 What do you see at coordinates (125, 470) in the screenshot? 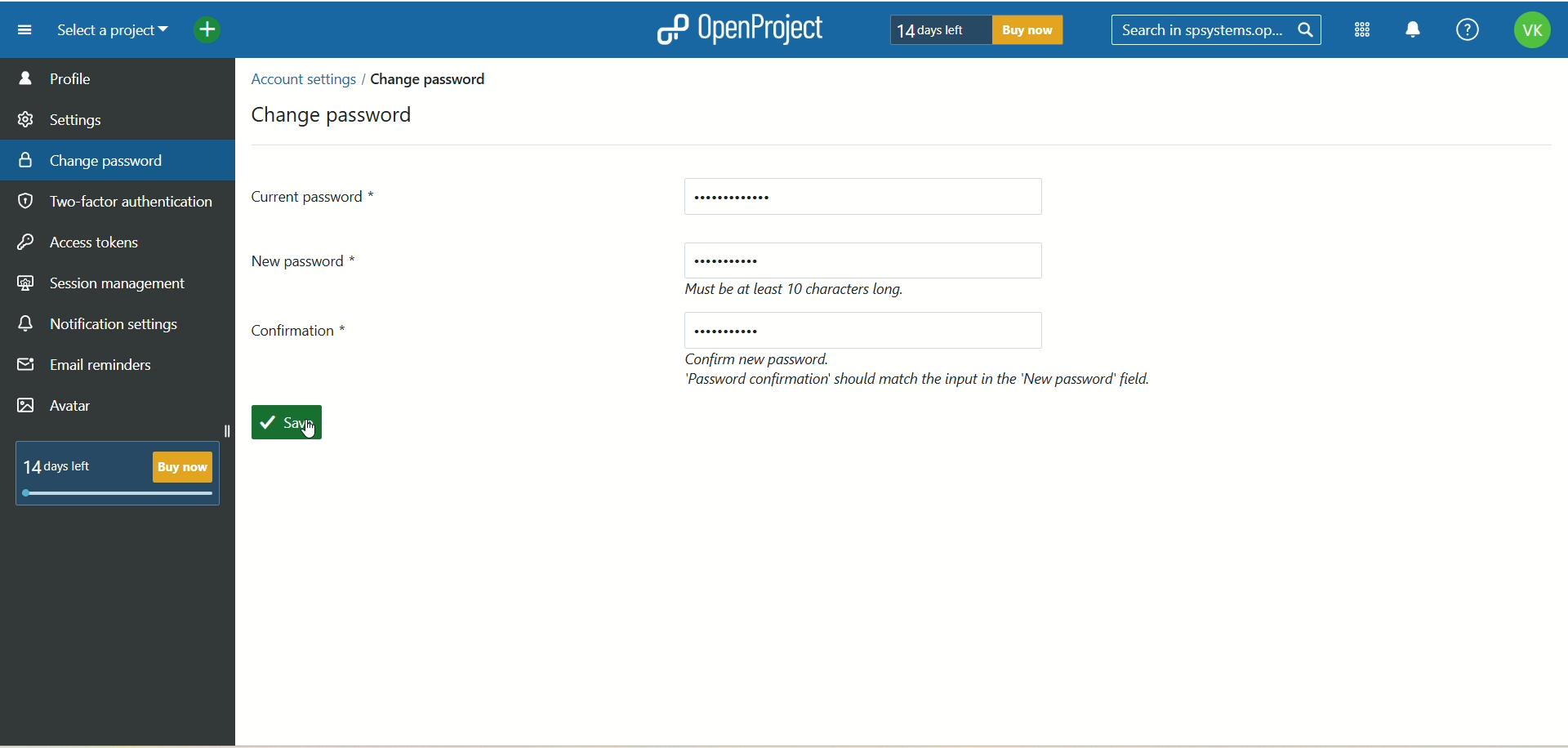
I see `text` at bounding box center [125, 470].